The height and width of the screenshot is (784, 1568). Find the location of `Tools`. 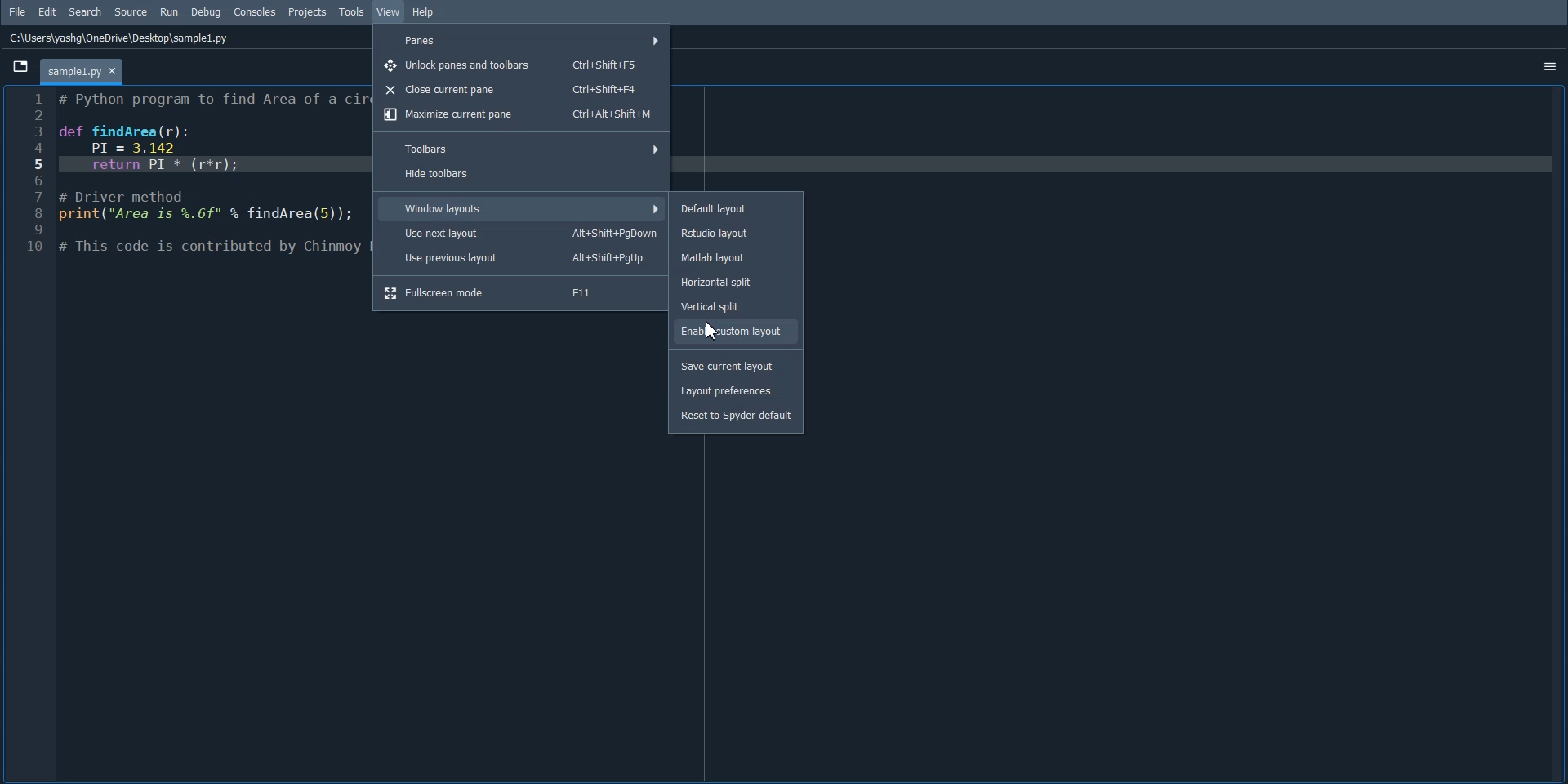

Tools is located at coordinates (353, 12).